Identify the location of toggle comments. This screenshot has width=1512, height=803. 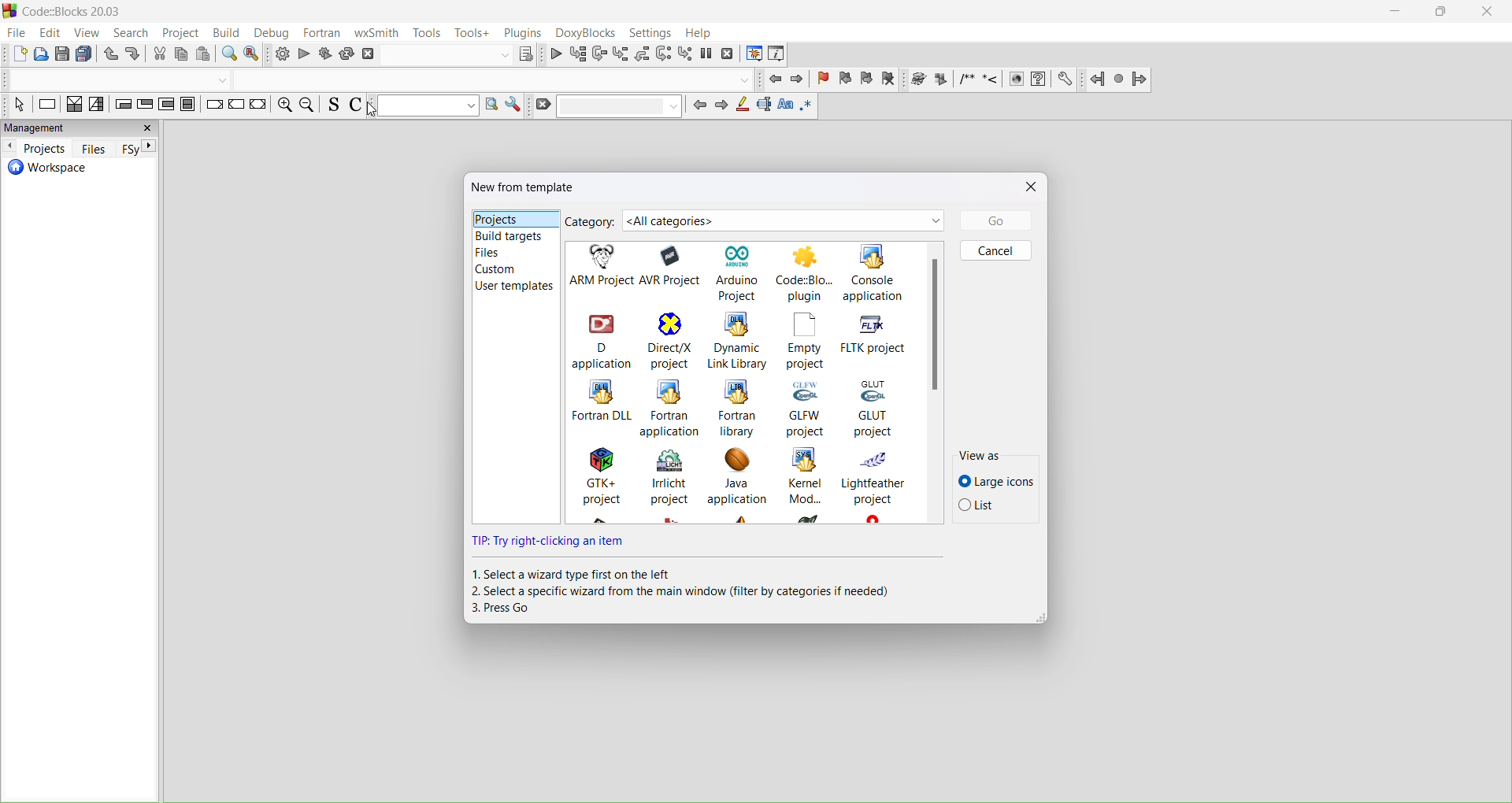
(360, 106).